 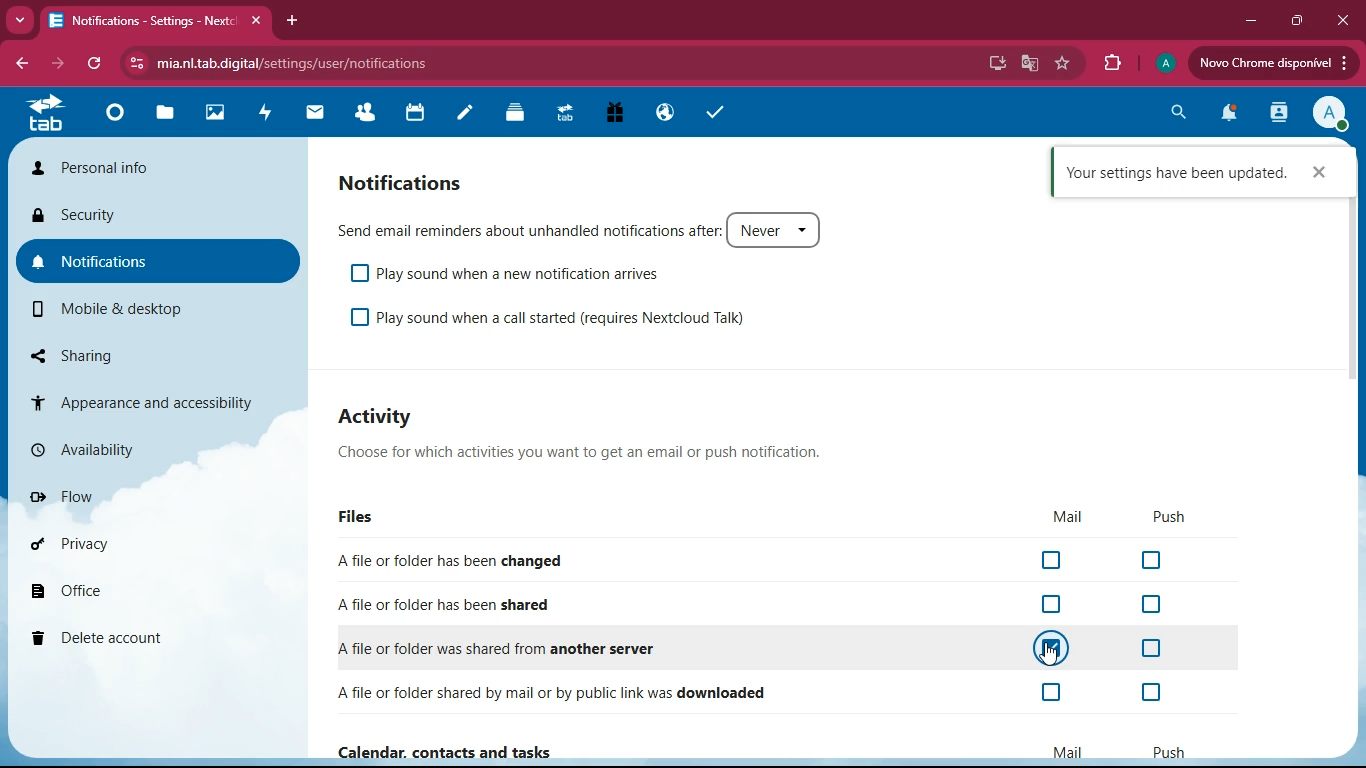 I want to click on description, so click(x=604, y=453).